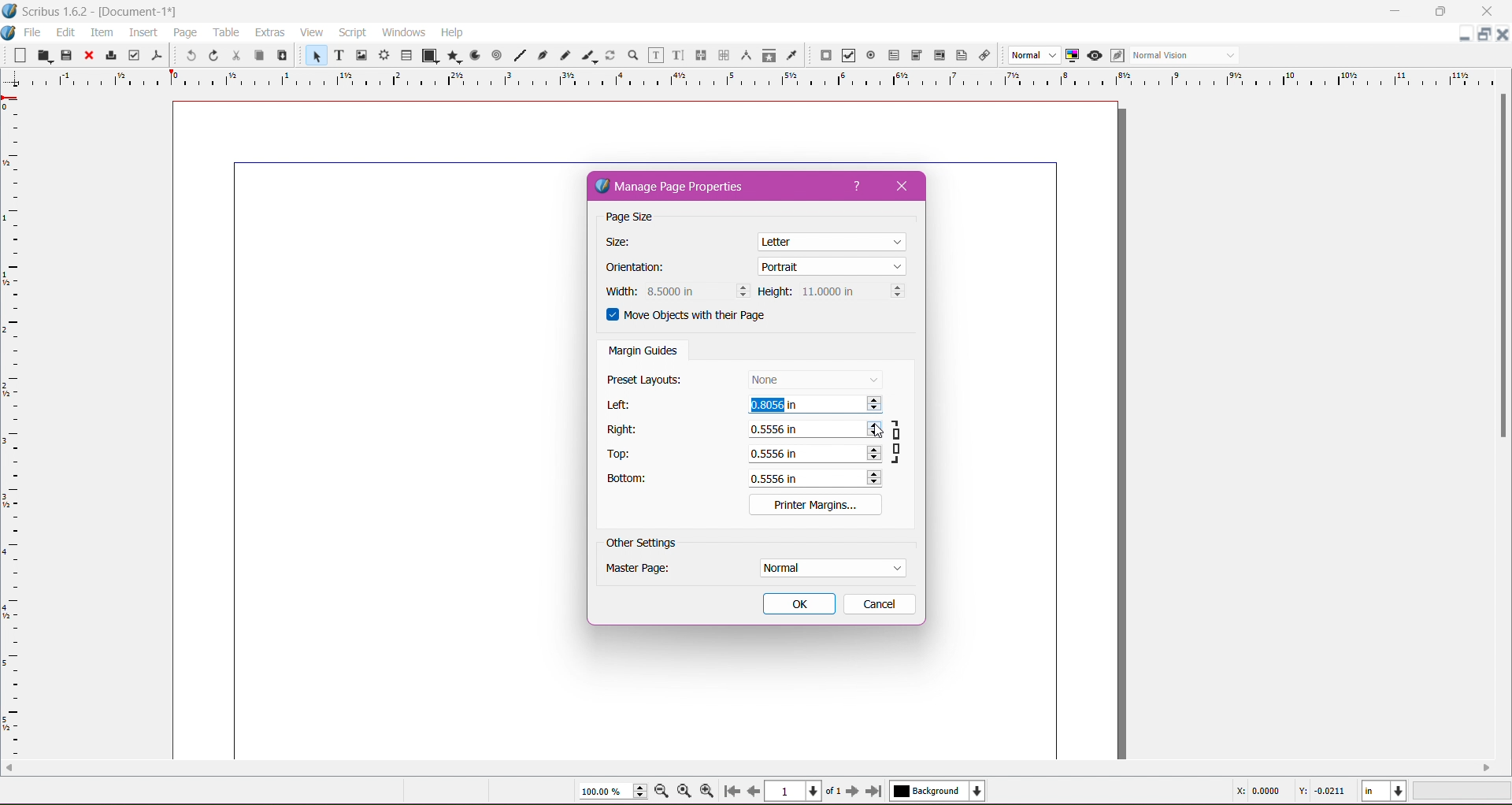 The image size is (1512, 805). I want to click on Zoom out by the stepping value in Tools preferences, so click(662, 792).